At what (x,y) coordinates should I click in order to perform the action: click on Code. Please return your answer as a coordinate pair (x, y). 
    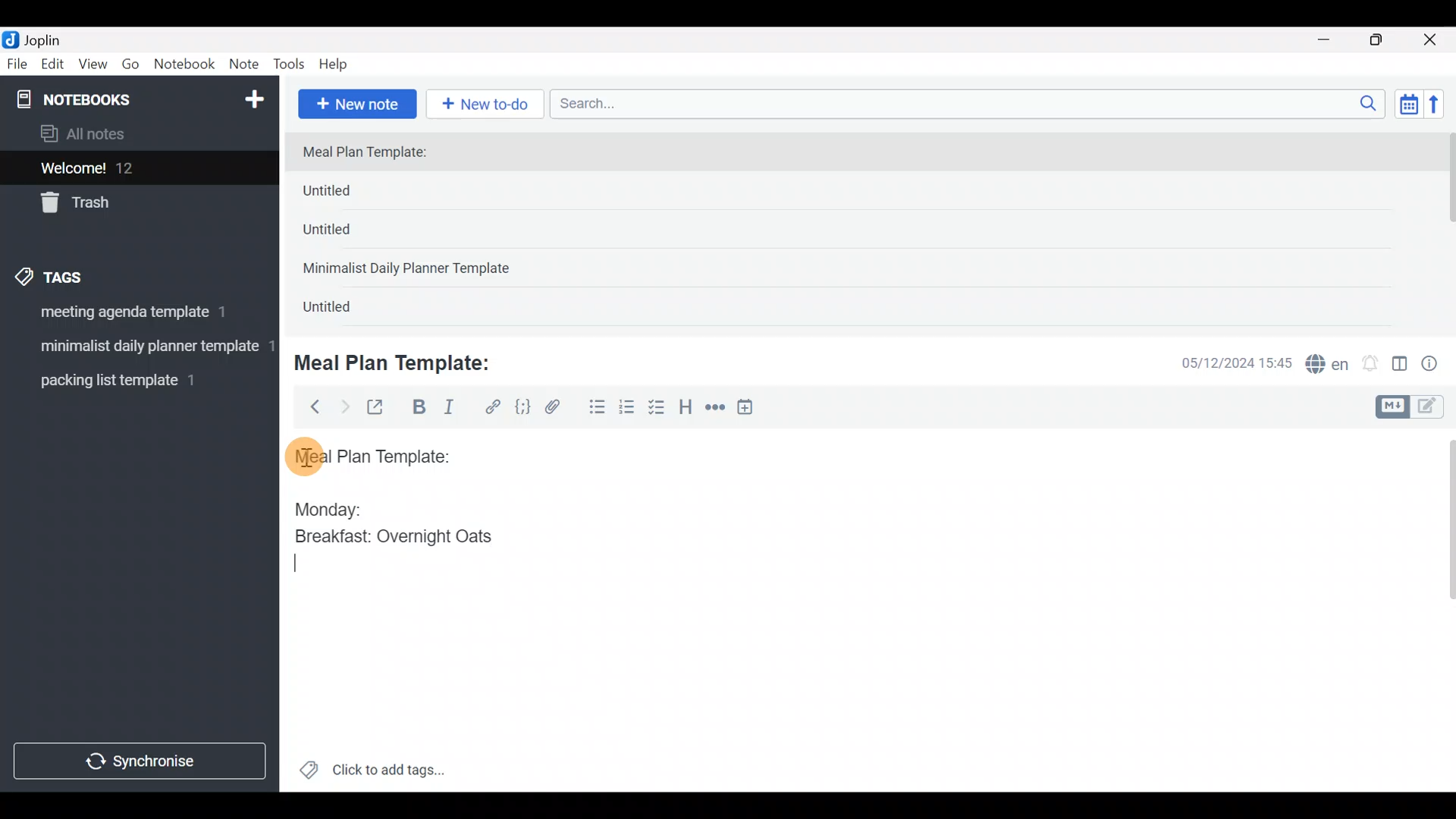
    Looking at the image, I should click on (521, 406).